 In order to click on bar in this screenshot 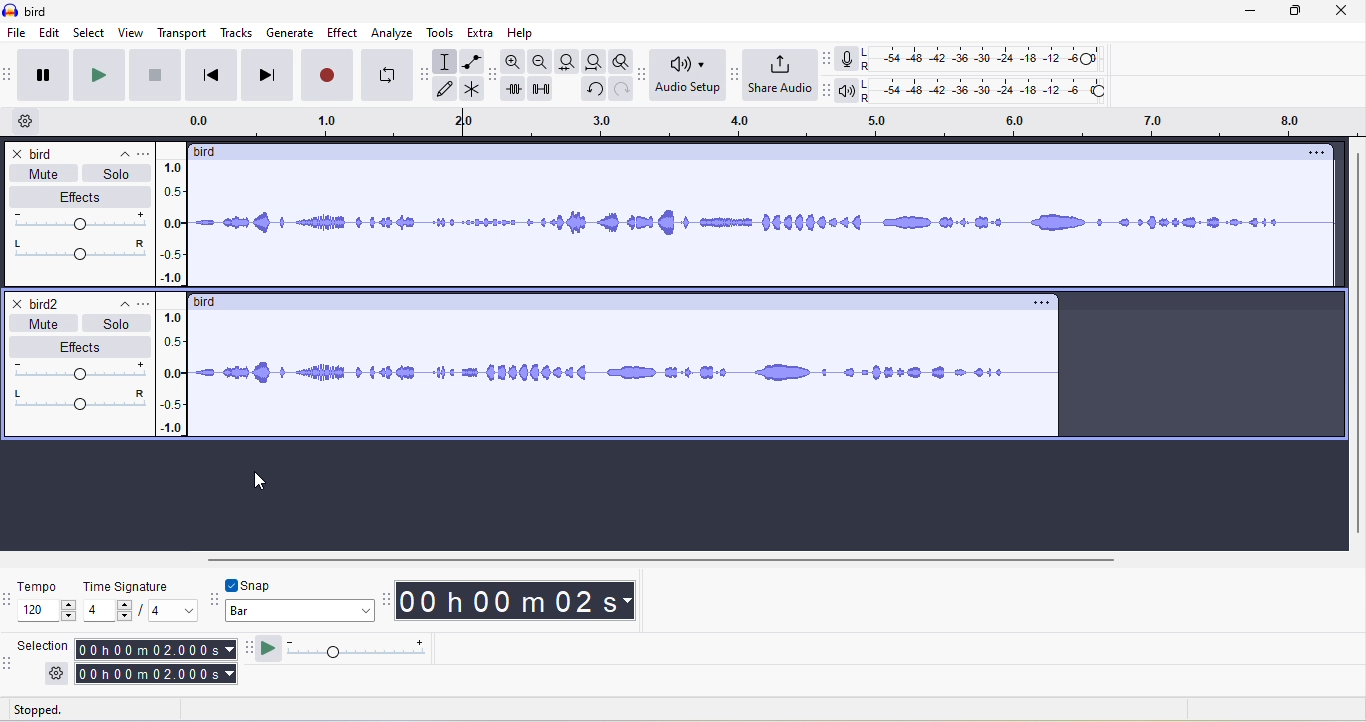, I will do `click(300, 611)`.